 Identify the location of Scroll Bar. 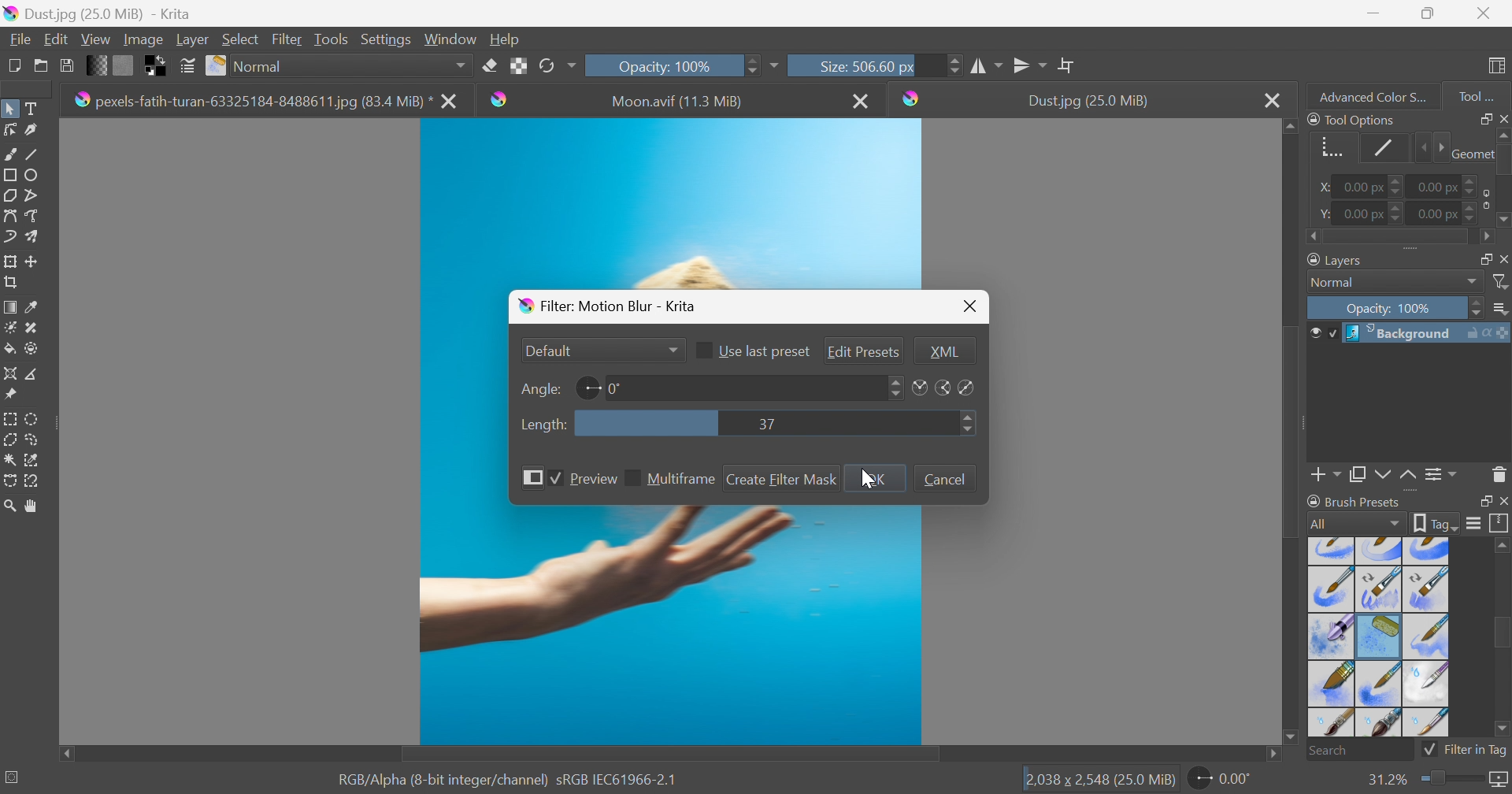
(1292, 429).